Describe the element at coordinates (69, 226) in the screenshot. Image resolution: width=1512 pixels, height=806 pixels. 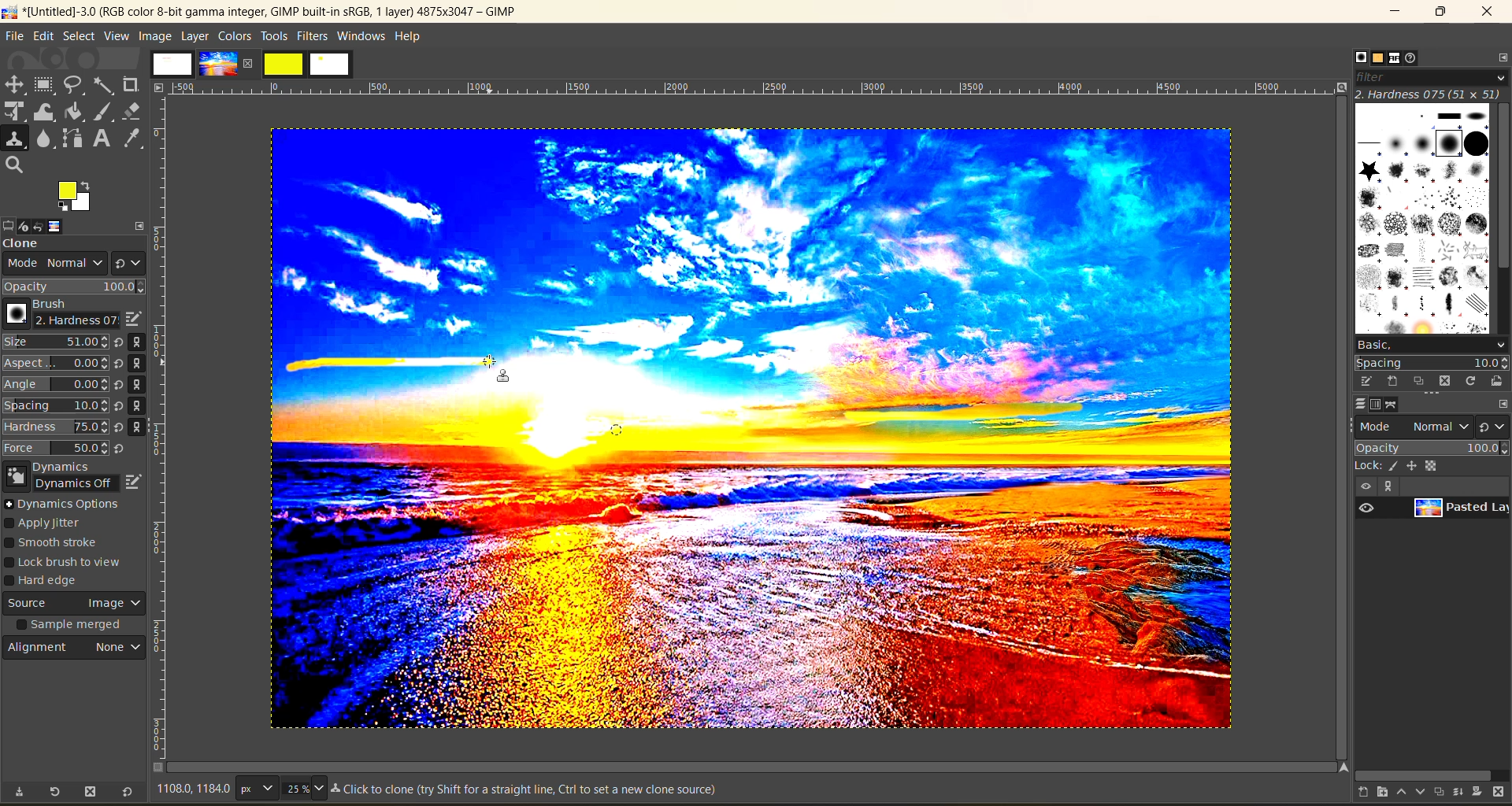
I see `image` at that location.